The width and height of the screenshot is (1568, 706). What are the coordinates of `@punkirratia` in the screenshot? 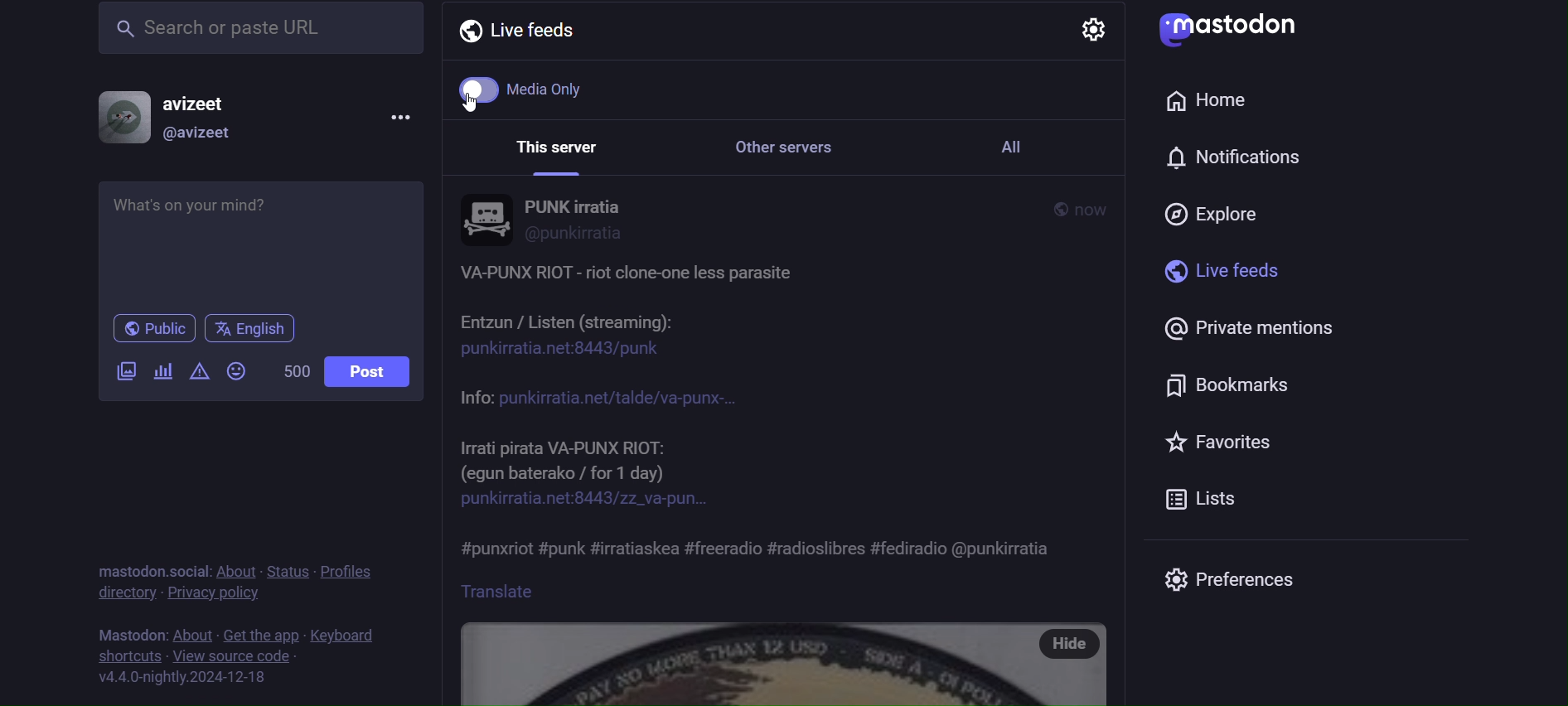 It's located at (575, 234).